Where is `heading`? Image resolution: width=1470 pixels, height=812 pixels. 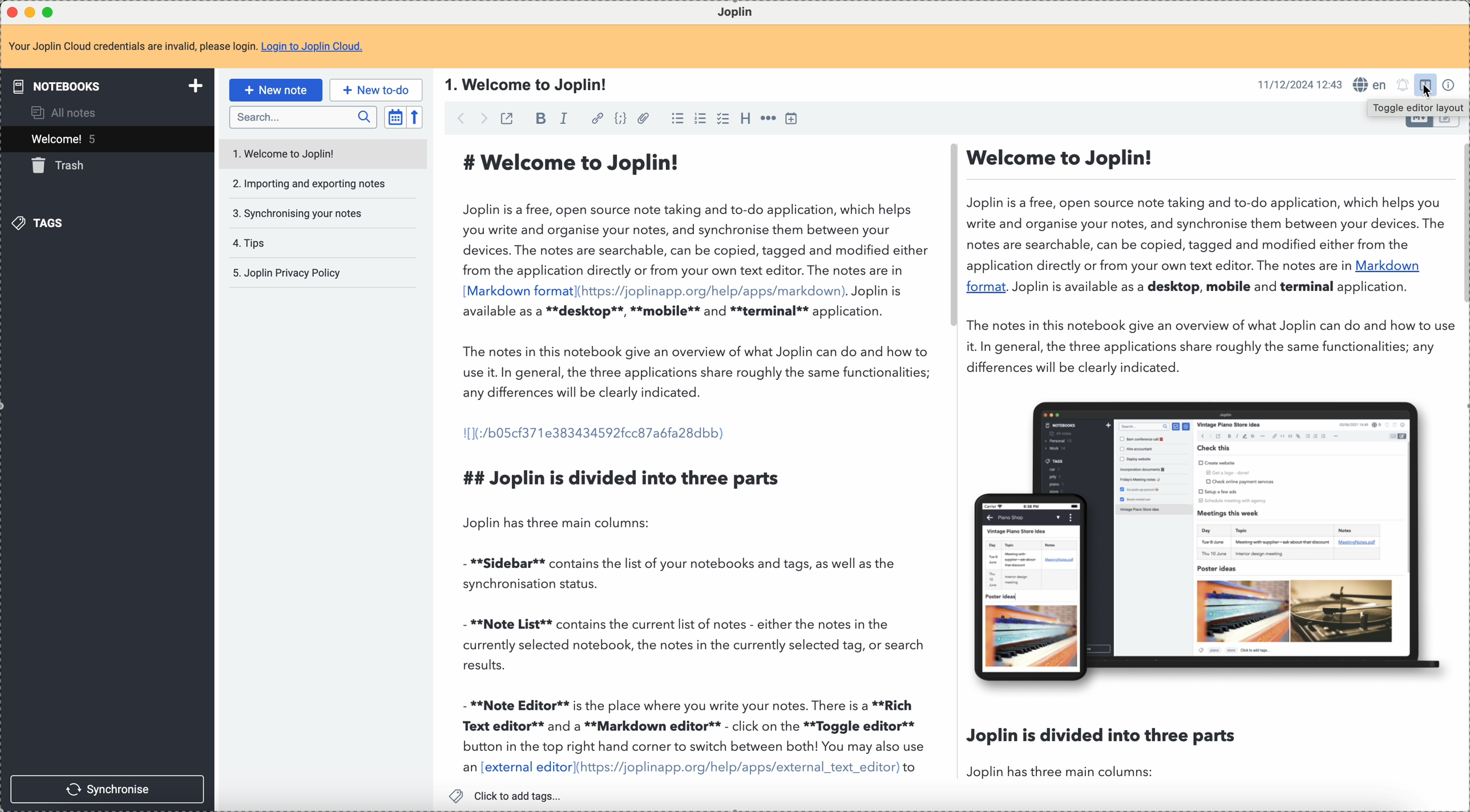 heading is located at coordinates (747, 120).